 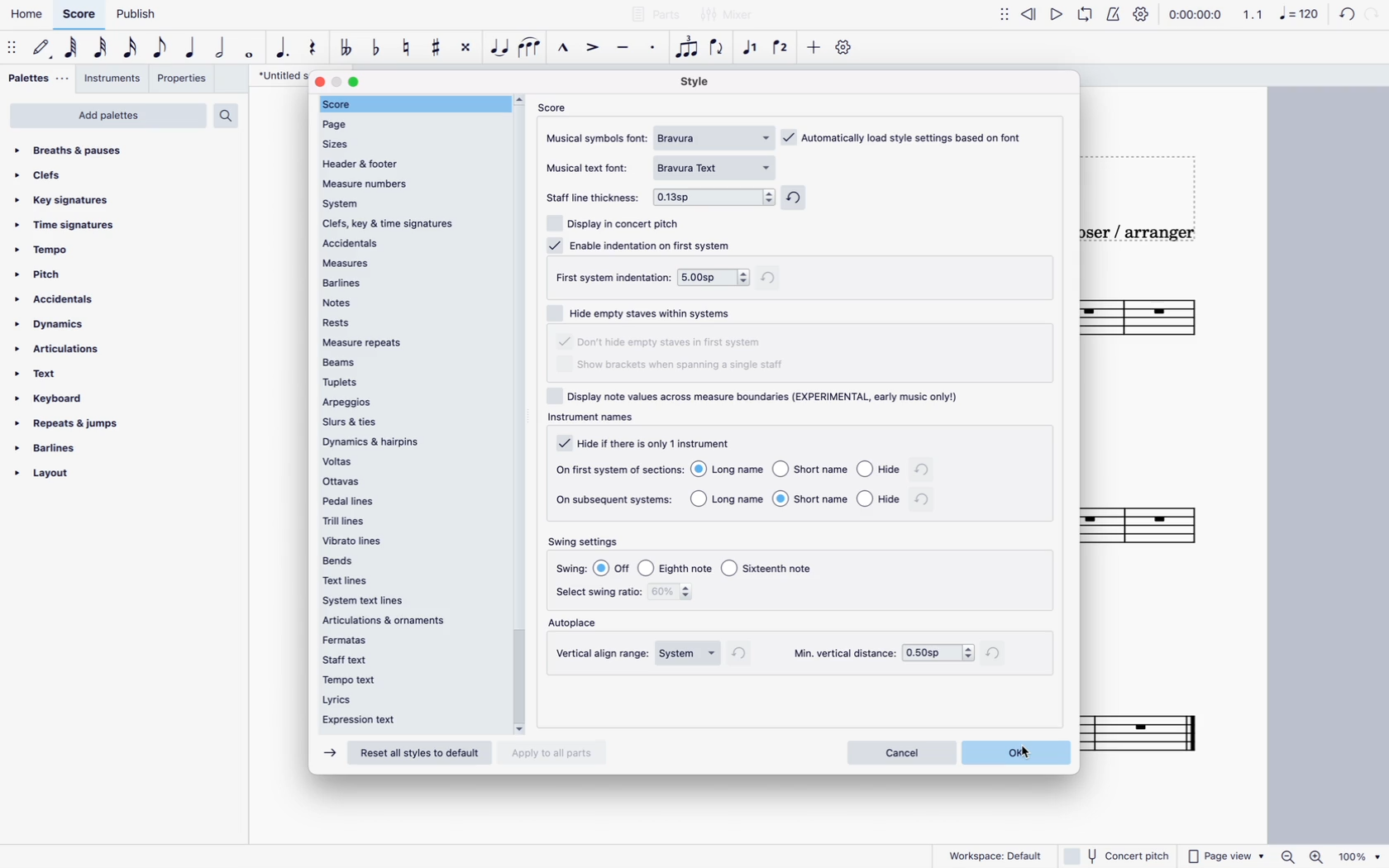 I want to click on header & footer, so click(x=411, y=162).